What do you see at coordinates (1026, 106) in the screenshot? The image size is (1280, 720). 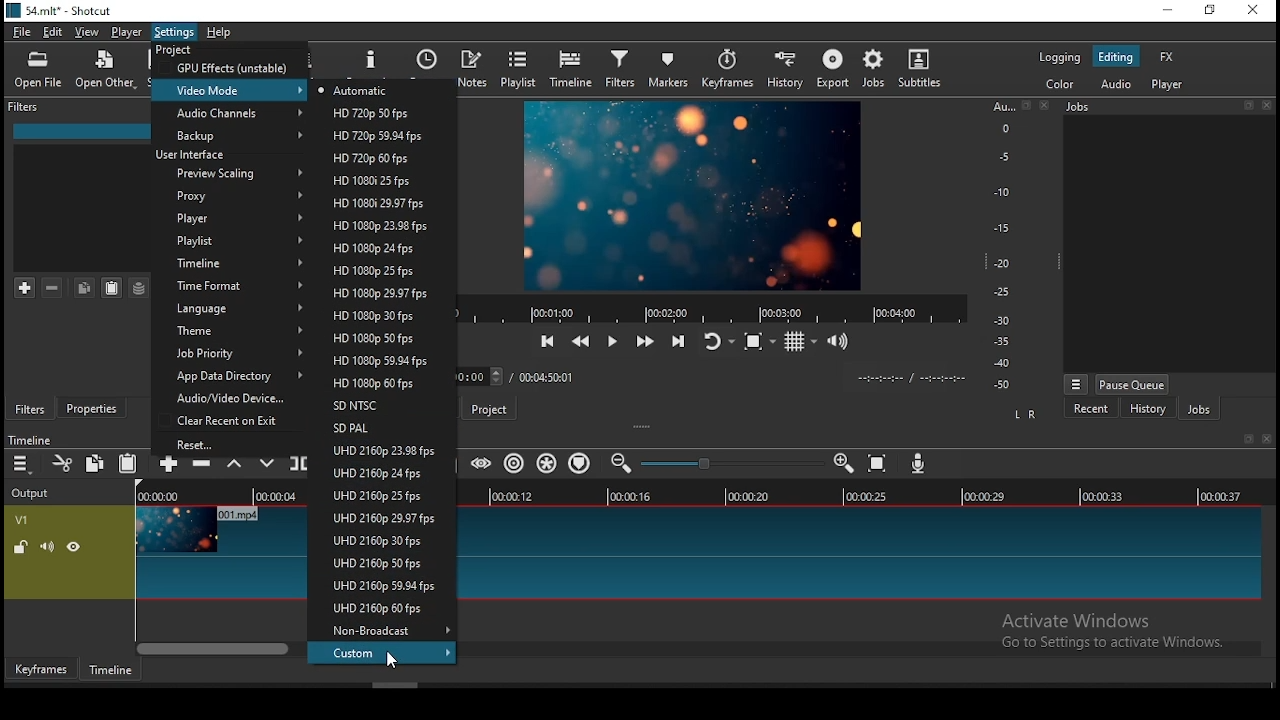 I see `restore` at bounding box center [1026, 106].